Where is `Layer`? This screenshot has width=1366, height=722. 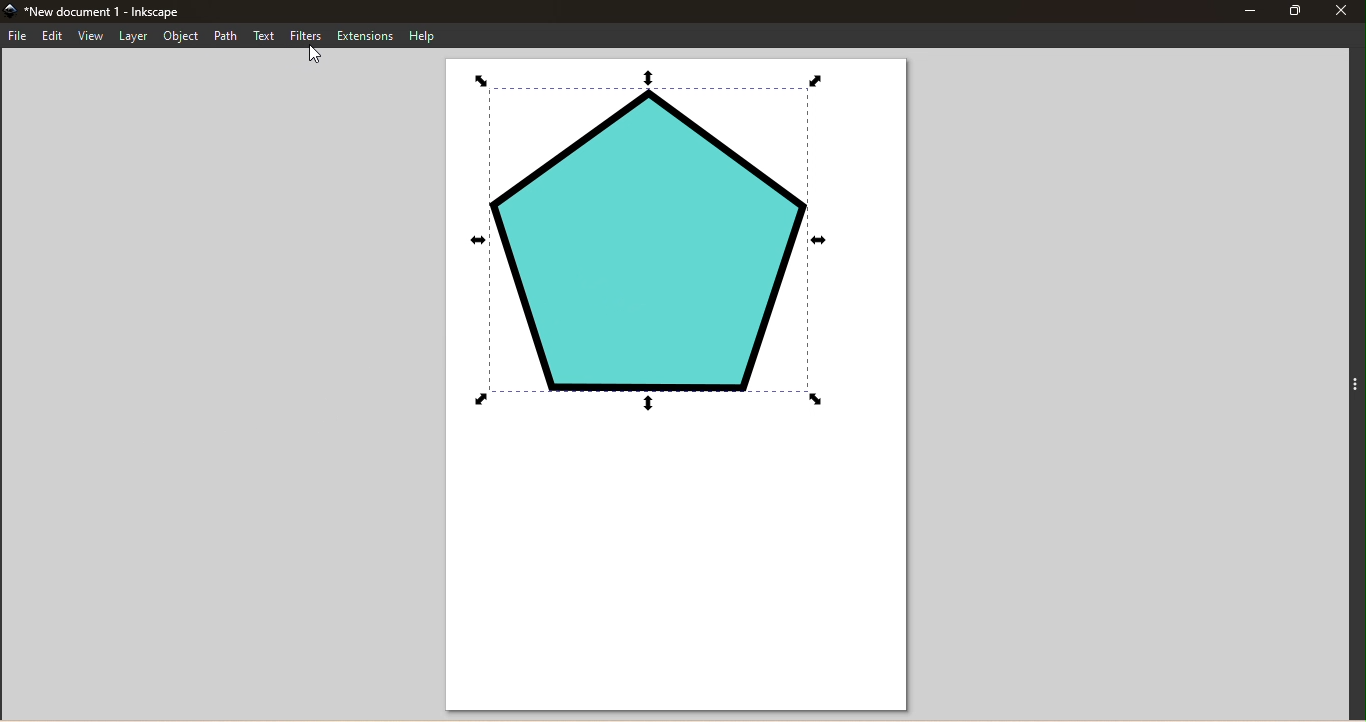 Layer is located at coordinates (133, 36).